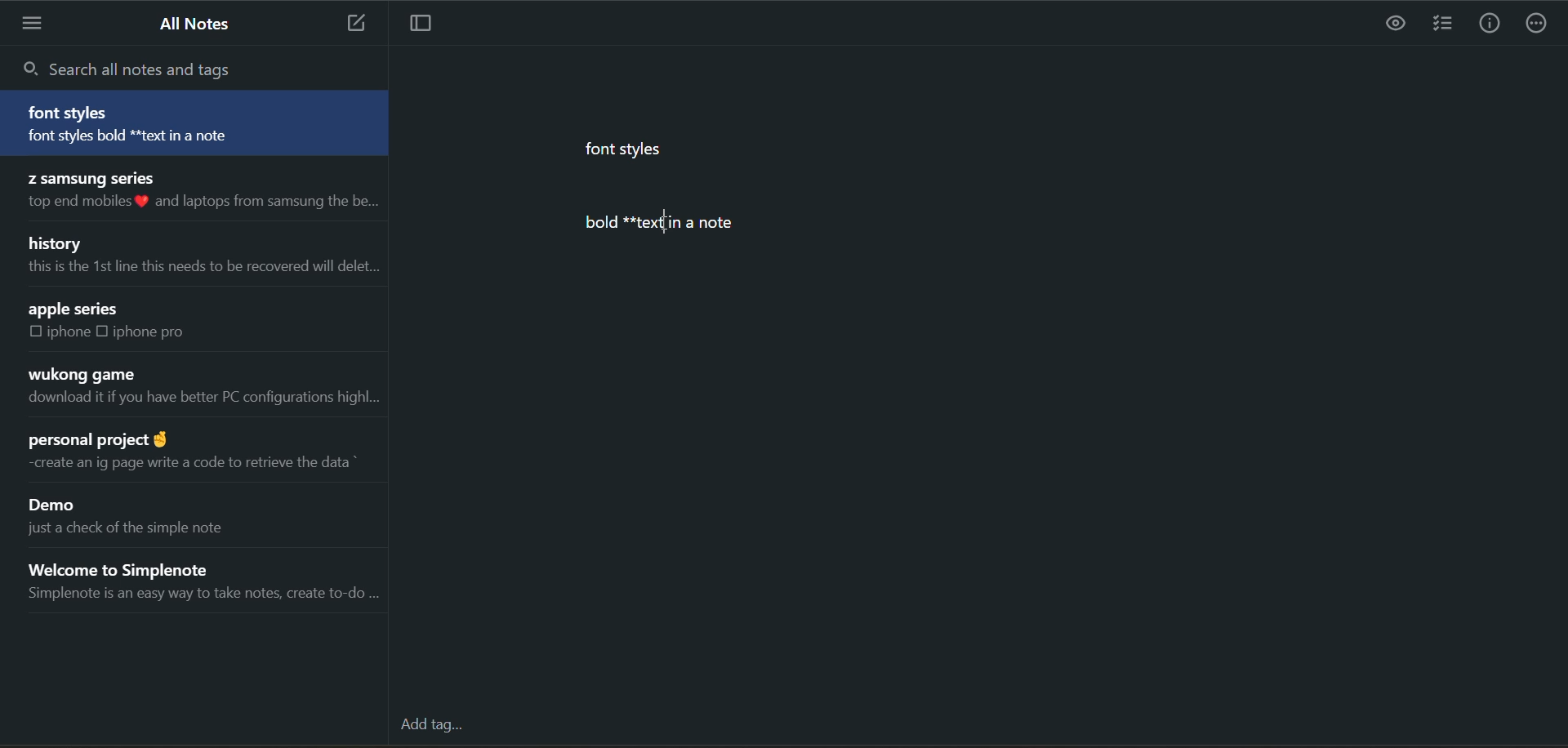  What do you see at coordinates (1537, 26) in the screenshot?
I see `actions` at bounding box center [1537, 26].